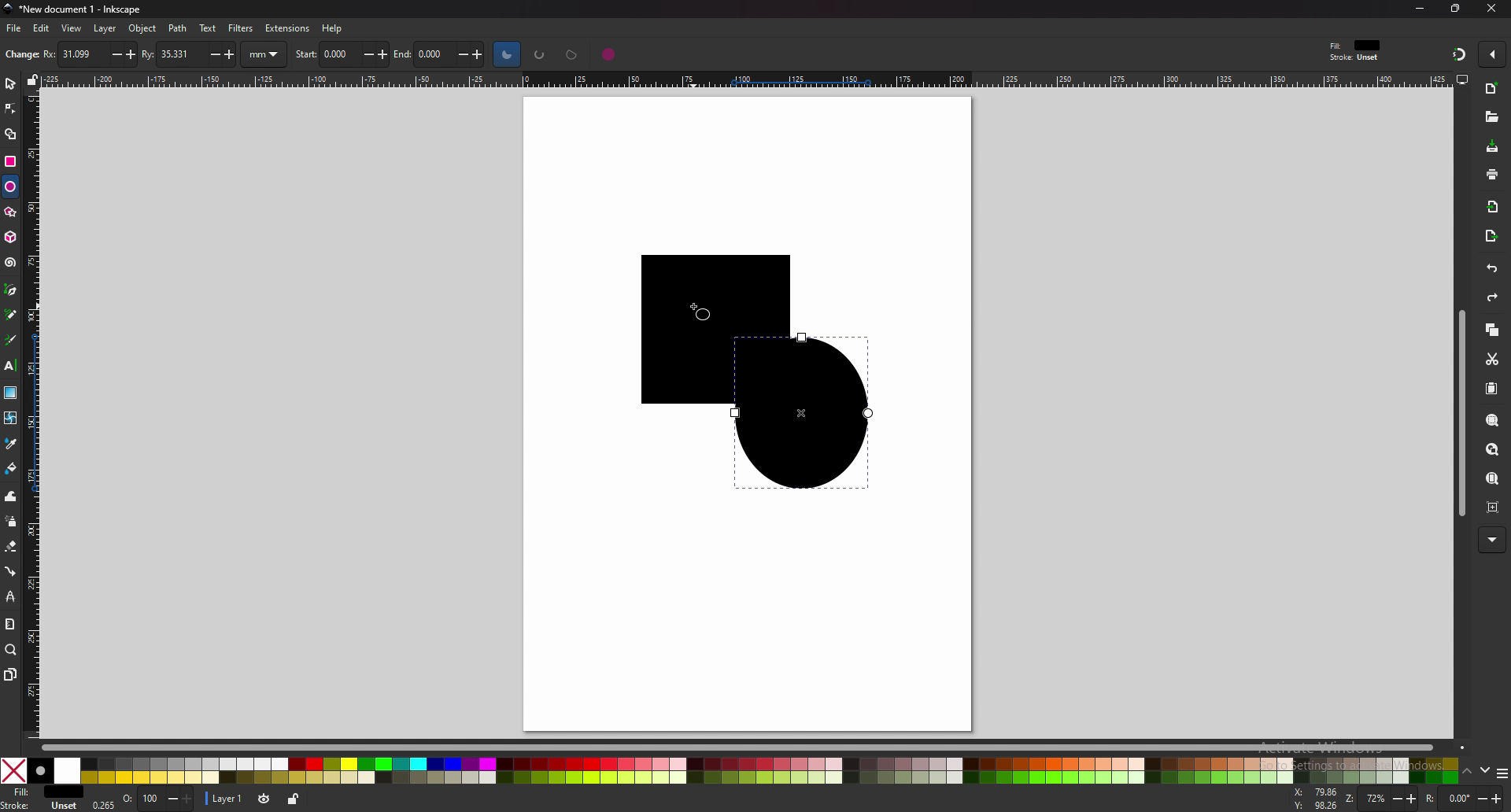 The height and width of the screenshot is (812, 1511). Describe the element at coordinates (1457, 54) in the screenshot. I see `snapping` at that location.